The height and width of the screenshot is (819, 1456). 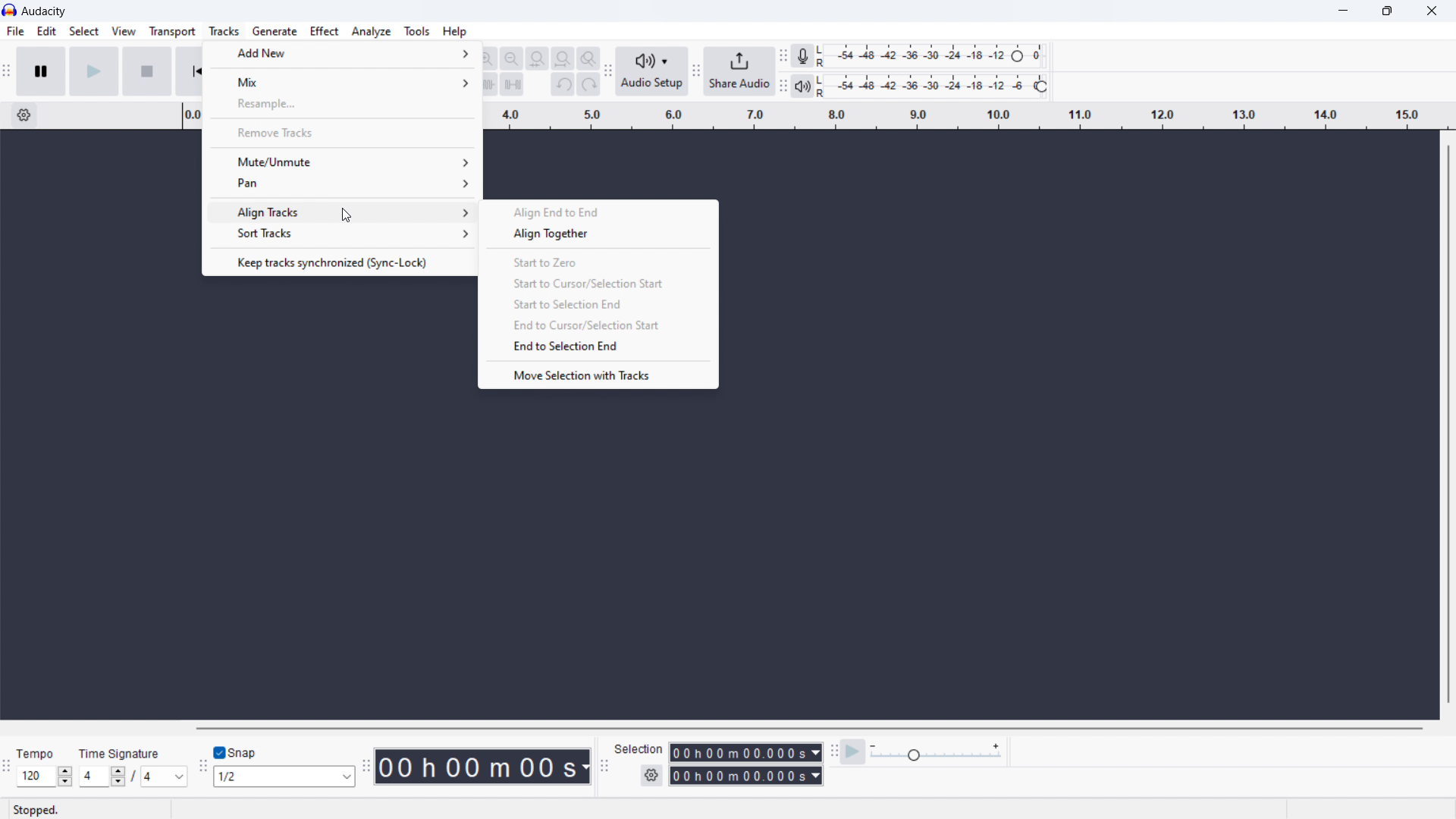 I want to click on end to selection end, so click(x=598, y=347).